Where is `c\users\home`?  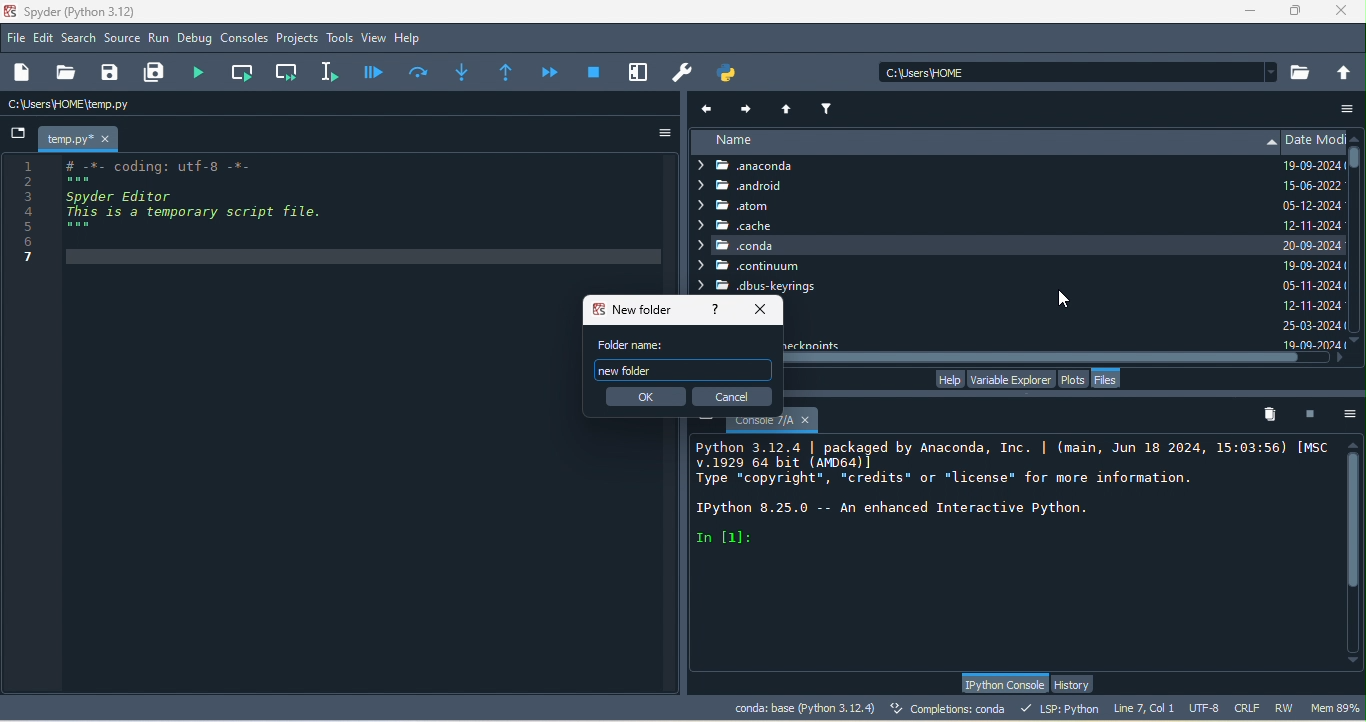
c\users\home is located at coordinates (1078, 71).